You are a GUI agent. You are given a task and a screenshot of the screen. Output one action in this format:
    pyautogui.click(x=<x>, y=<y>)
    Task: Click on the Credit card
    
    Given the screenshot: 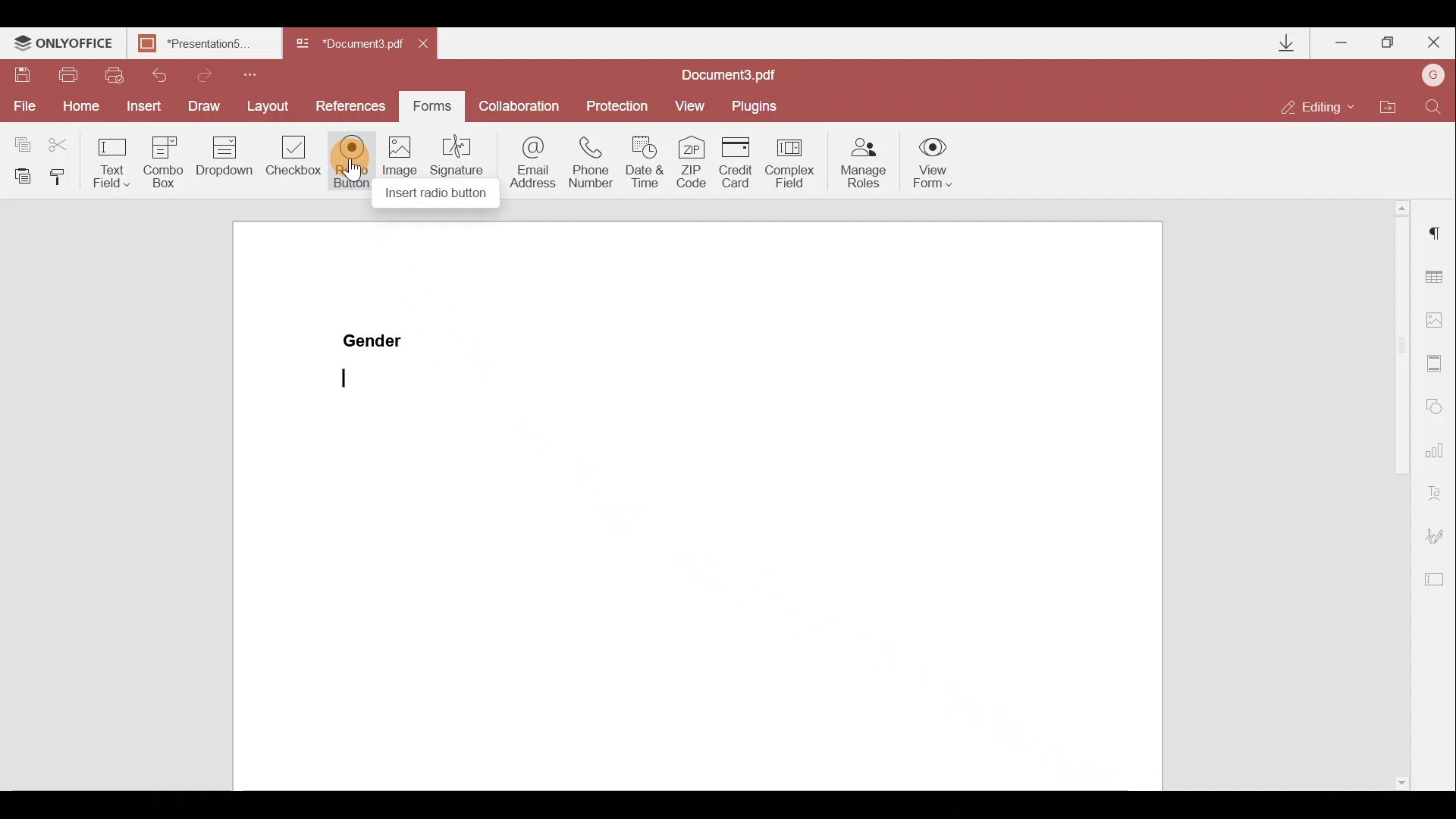 What is the action you would take?
    pyautogui.click(x=736, y=158)
    